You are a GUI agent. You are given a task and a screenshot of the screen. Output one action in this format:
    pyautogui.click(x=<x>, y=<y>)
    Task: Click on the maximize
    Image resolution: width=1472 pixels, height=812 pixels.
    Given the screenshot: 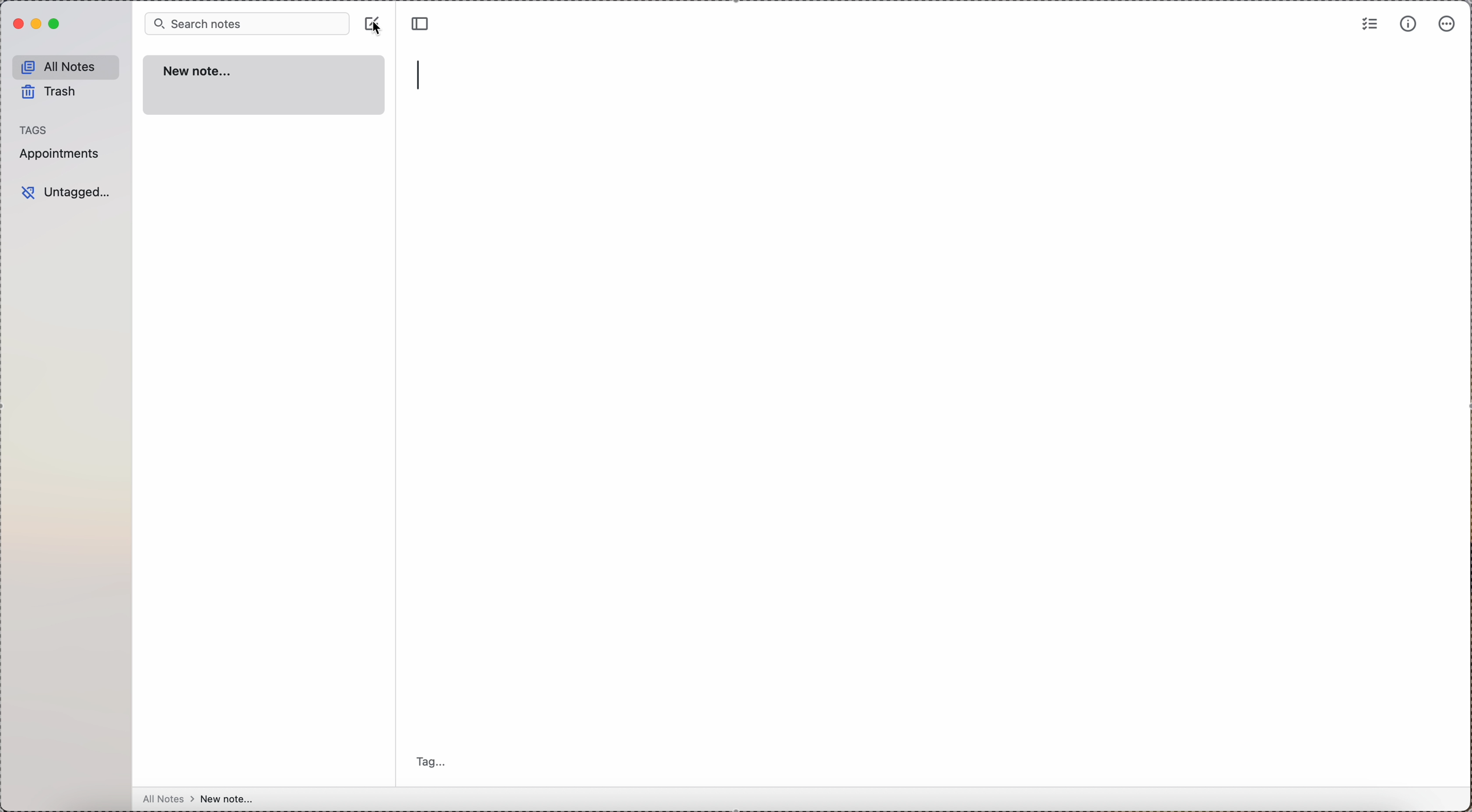 What is the action you would take?
    pyautogui.click(x=56, y=24)
    